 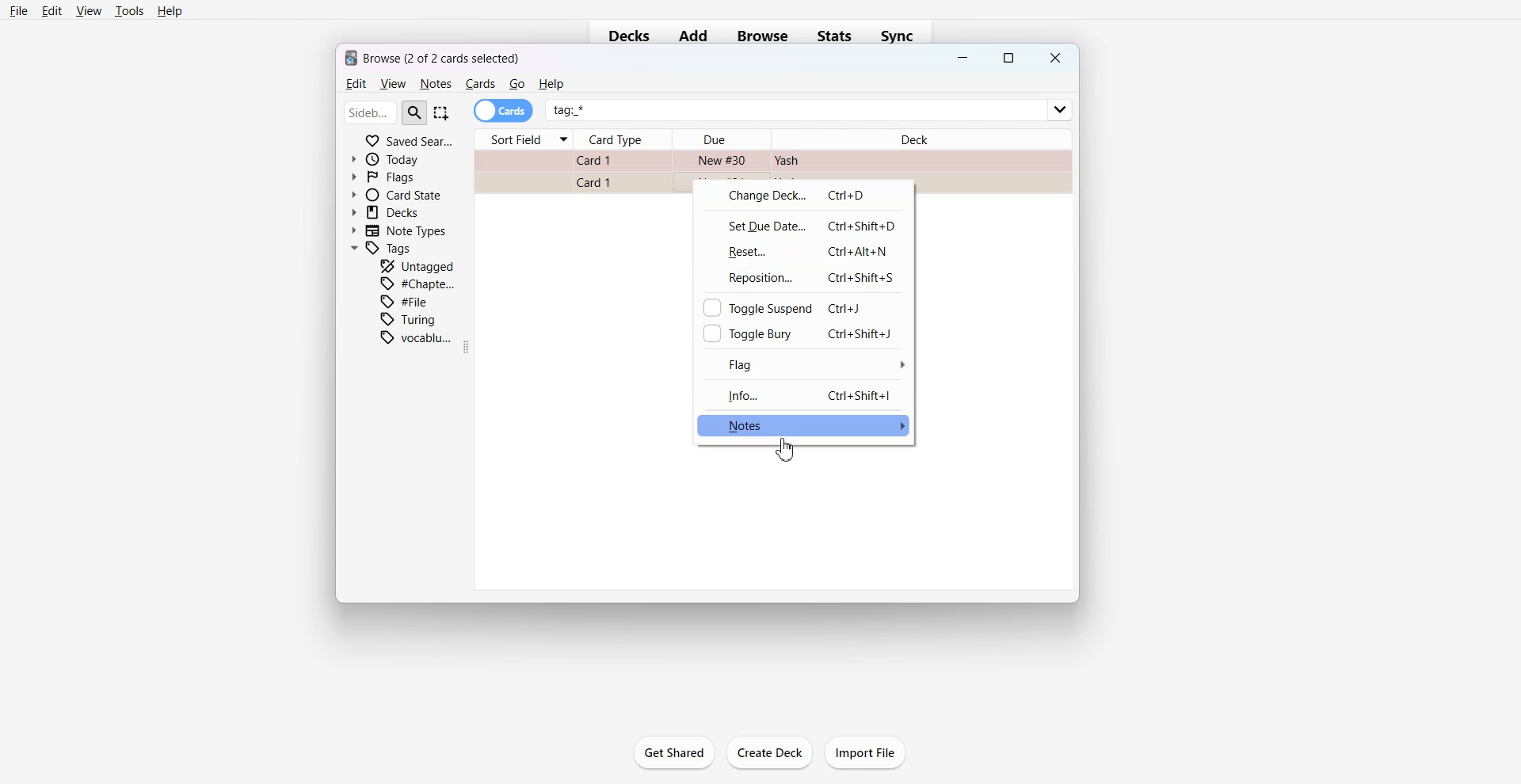 I want to click on File, so click(x=408, y=301).